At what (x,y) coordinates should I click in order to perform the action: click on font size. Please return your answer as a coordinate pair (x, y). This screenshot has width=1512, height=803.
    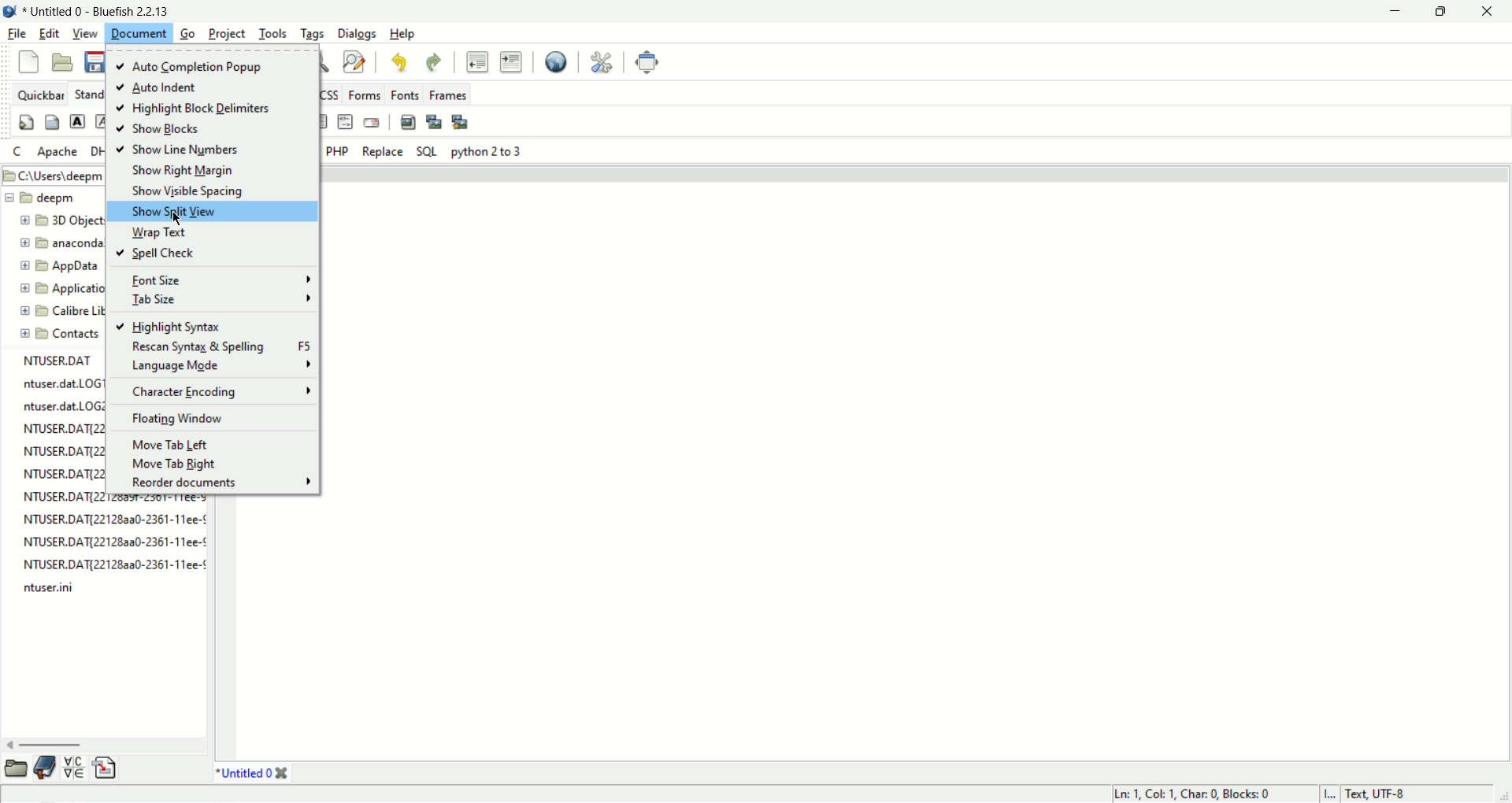
    Looking at the image, I should click on (217, 279).